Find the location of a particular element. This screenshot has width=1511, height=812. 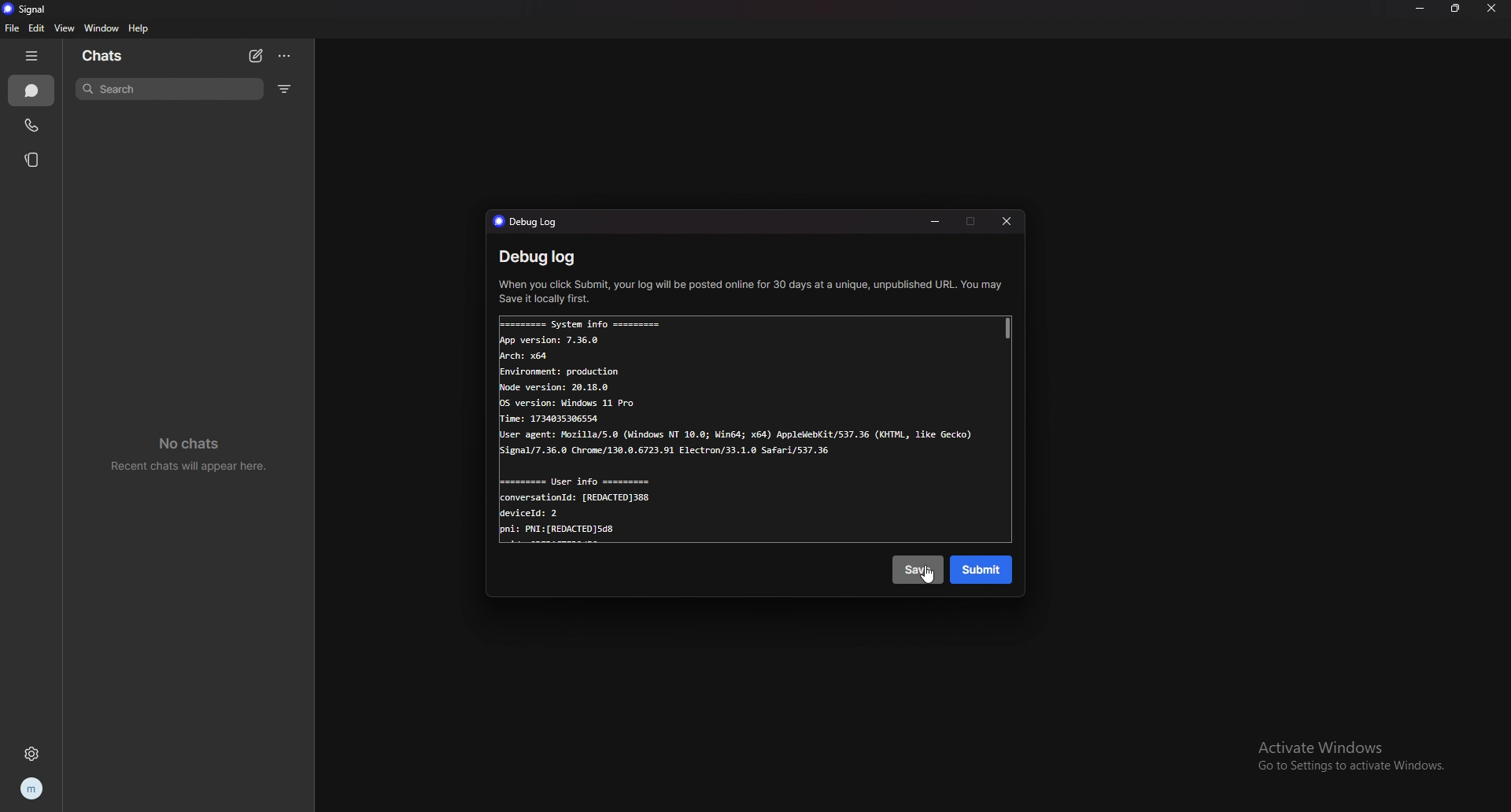

scroll bar is located at coordinates (1010, 328).